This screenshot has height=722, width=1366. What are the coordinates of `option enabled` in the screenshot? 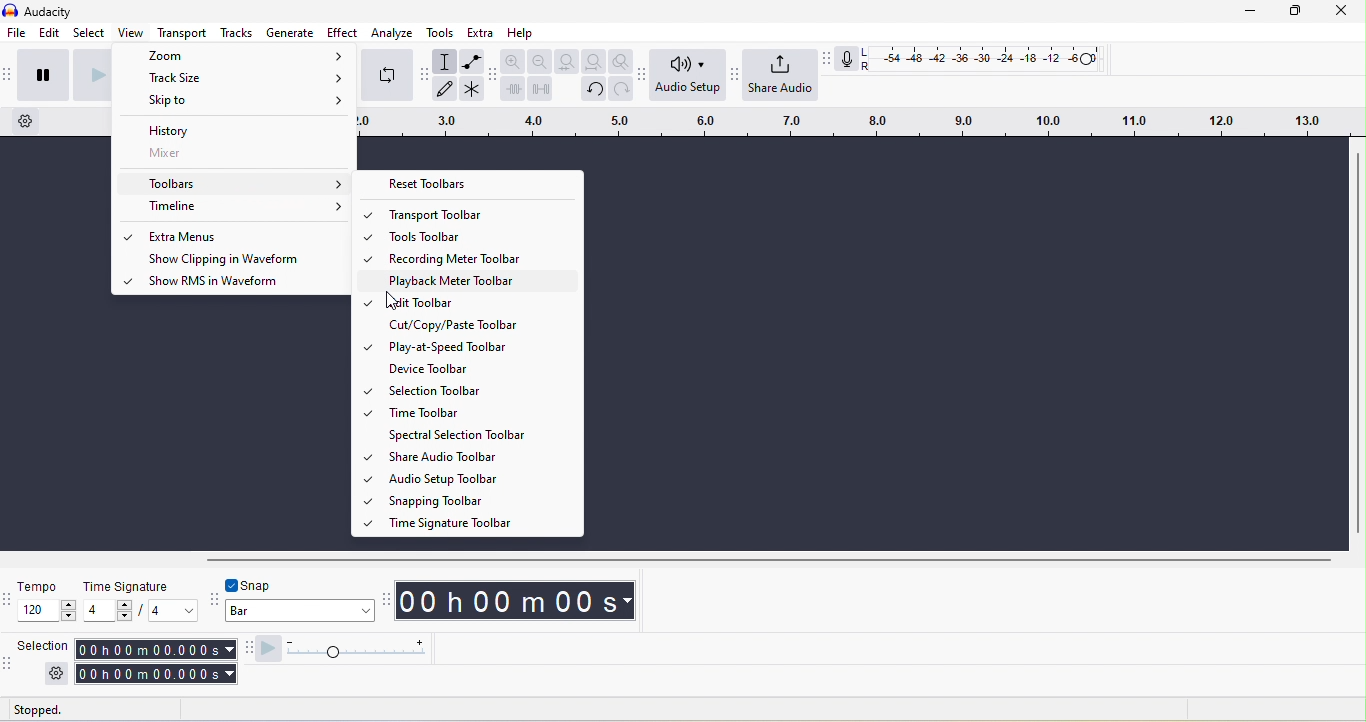 It's located at (128, 238).